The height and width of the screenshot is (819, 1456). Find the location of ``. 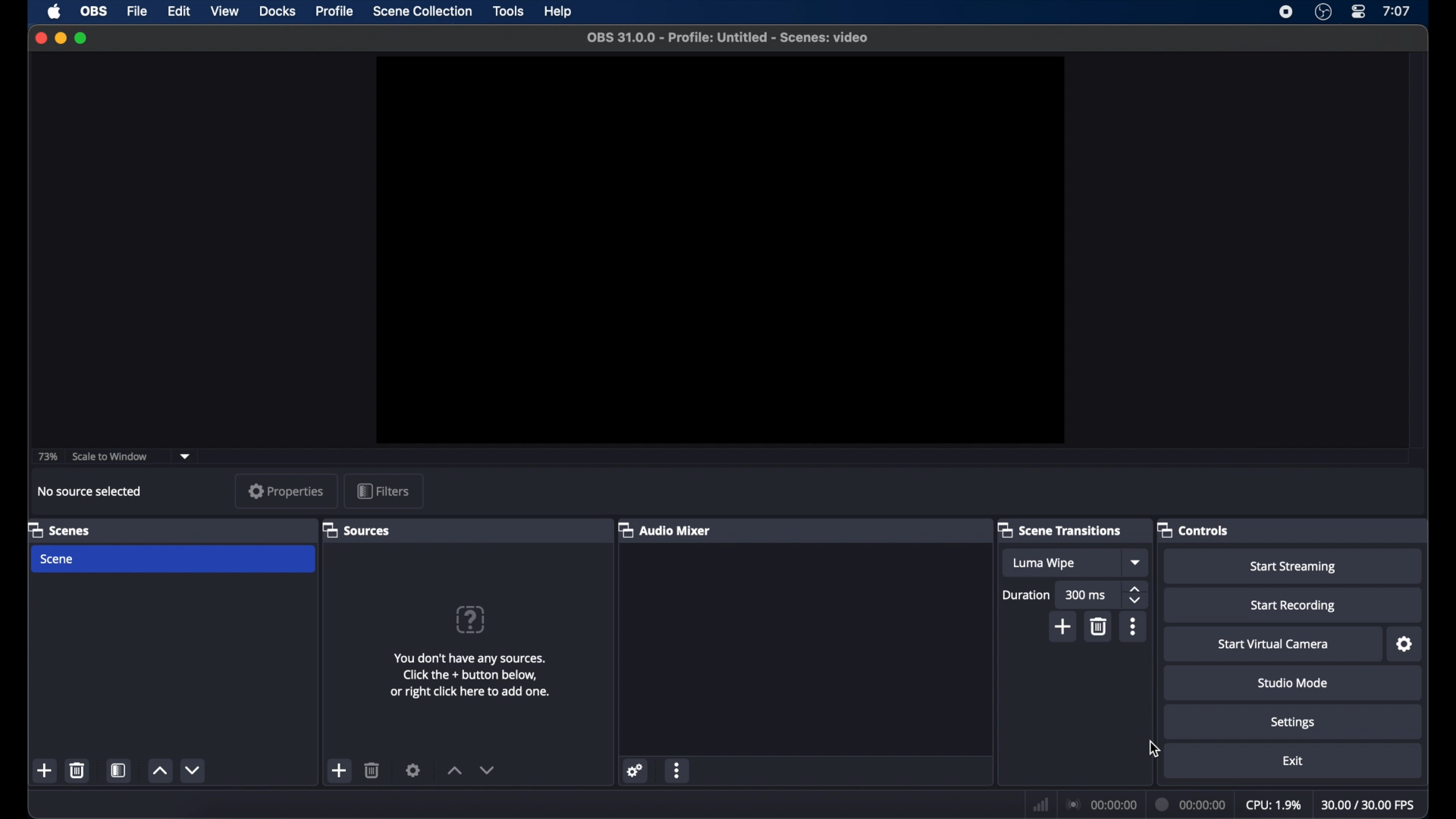

 is located at coordinates (470, 620).